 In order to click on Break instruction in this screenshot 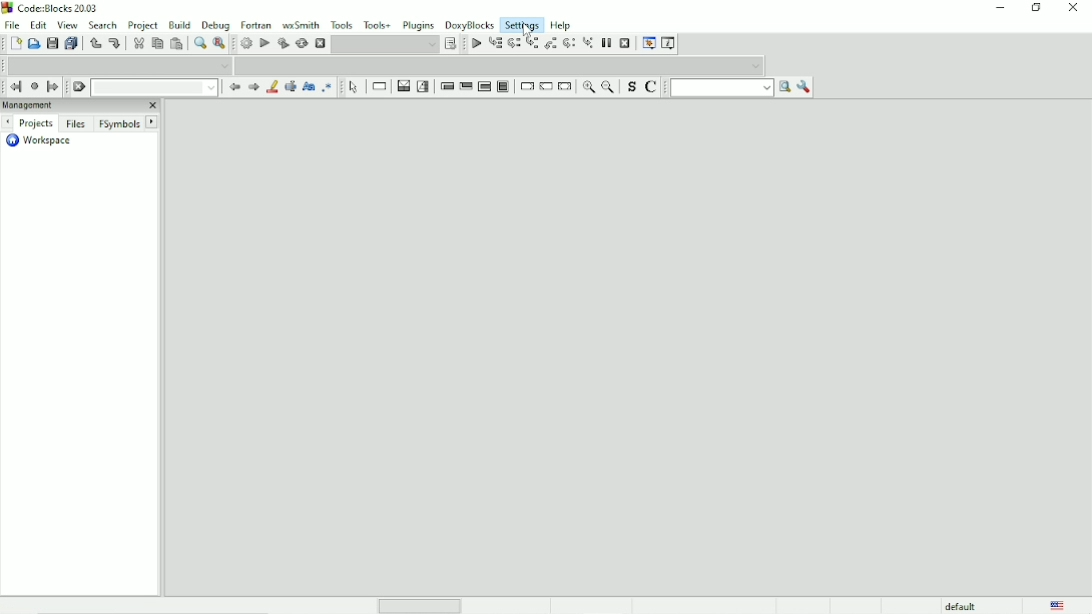, I will do `click(526, 87)`.